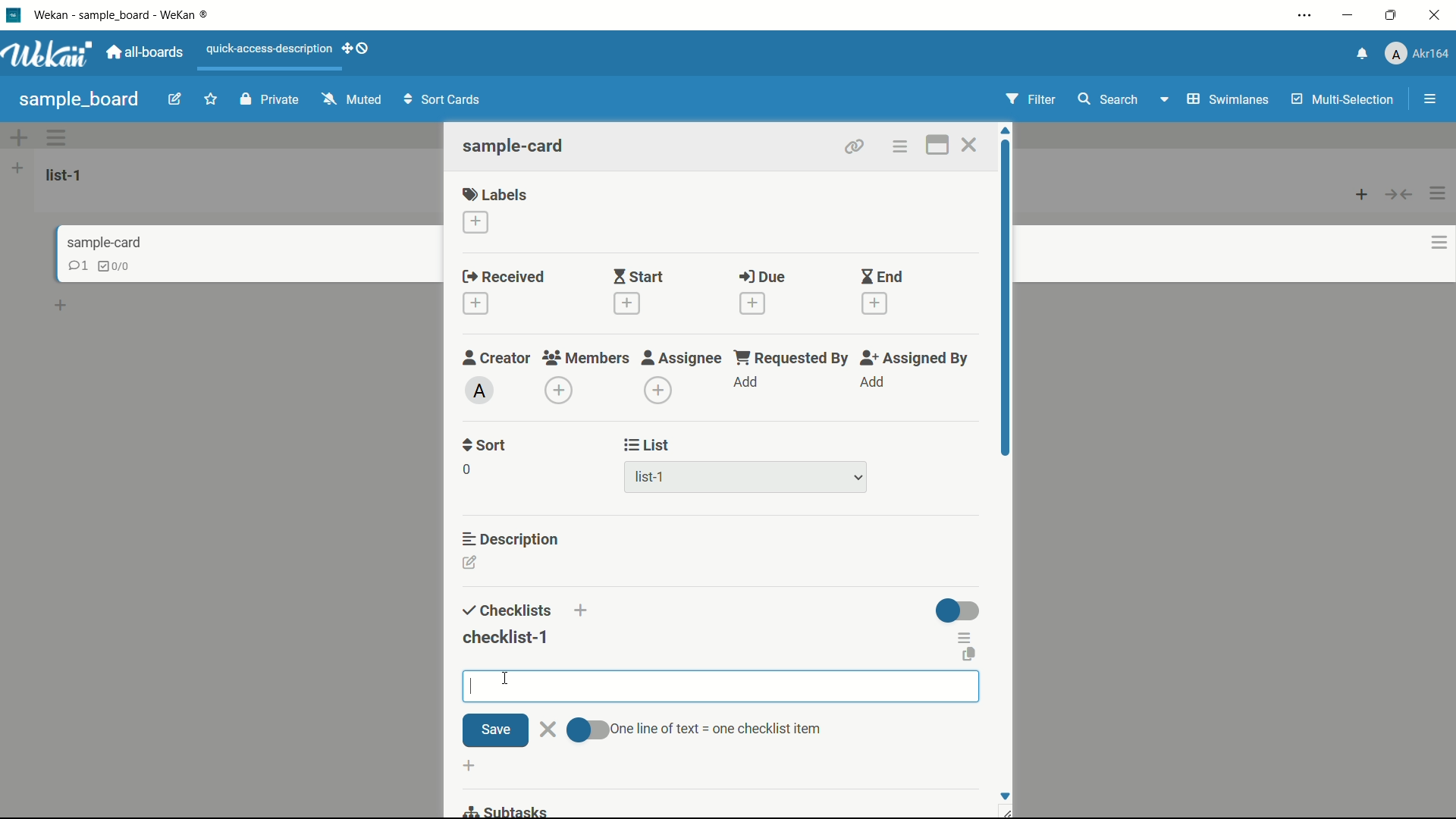 The height and width of the screenshot is (819, 1456). What do you see at coordinates (67, 140) in the screenshot?
I see `options` at bounding box center [67, 140].